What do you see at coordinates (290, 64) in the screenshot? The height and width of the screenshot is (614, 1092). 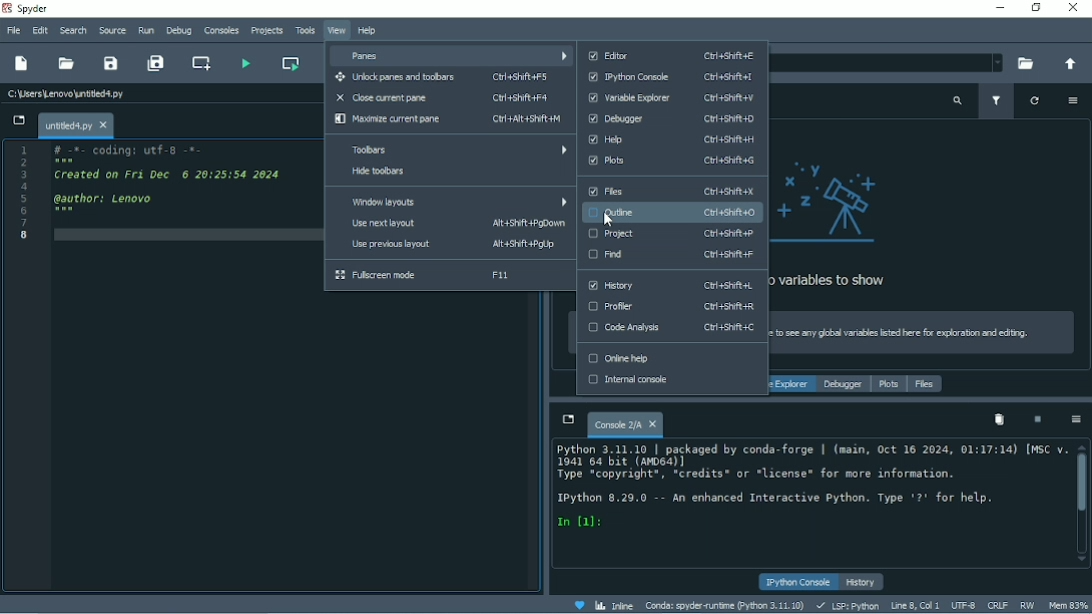 I see `Run current cell` at bounding box center [290, 64].